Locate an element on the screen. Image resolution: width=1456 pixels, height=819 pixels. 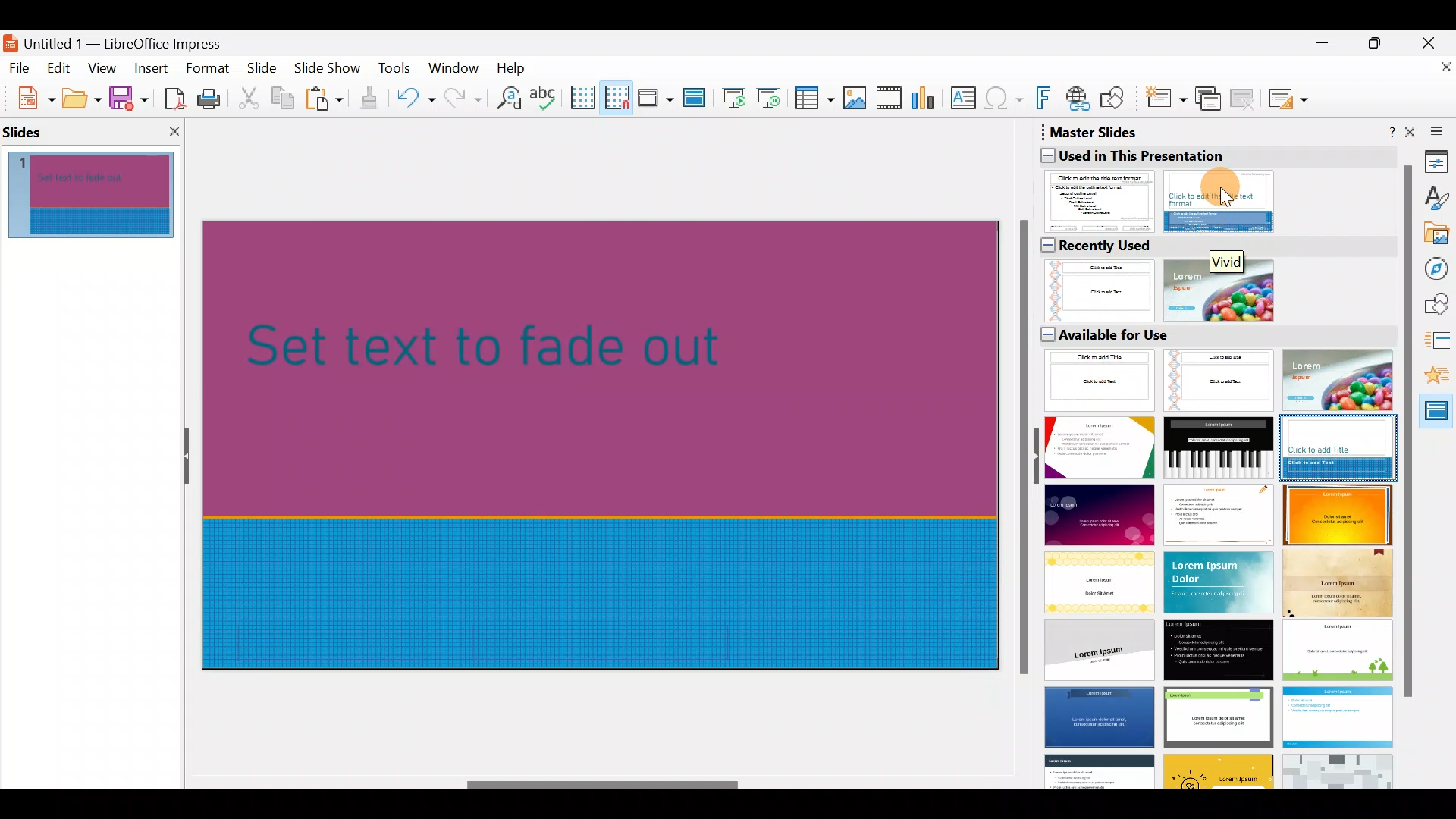
Insert audio or video is located at coordinates (890, 101).